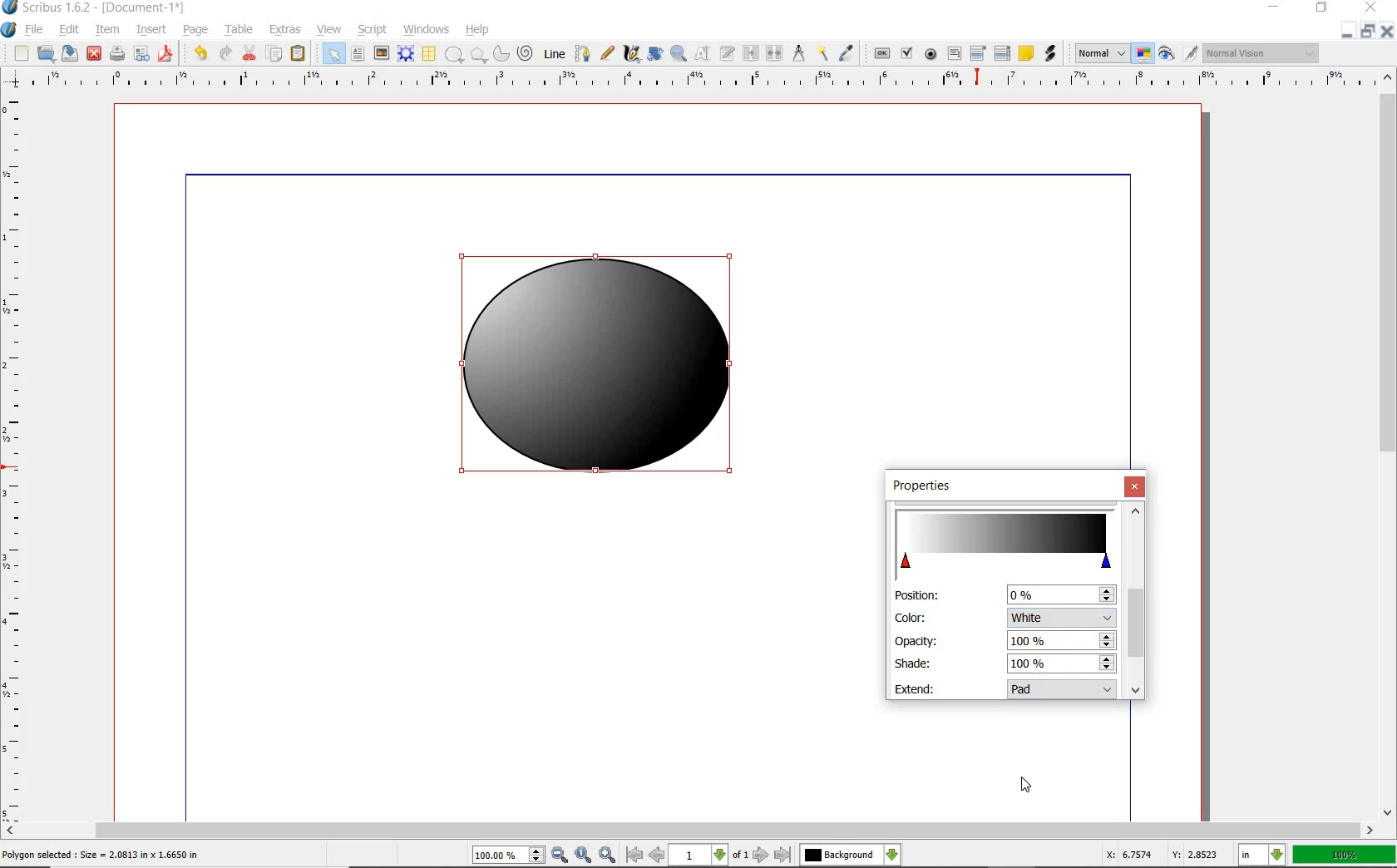 The image size is (1397, 868). Describe the element at coordinates (193, 31) in the screenshot. I see `PAGE` at that location.